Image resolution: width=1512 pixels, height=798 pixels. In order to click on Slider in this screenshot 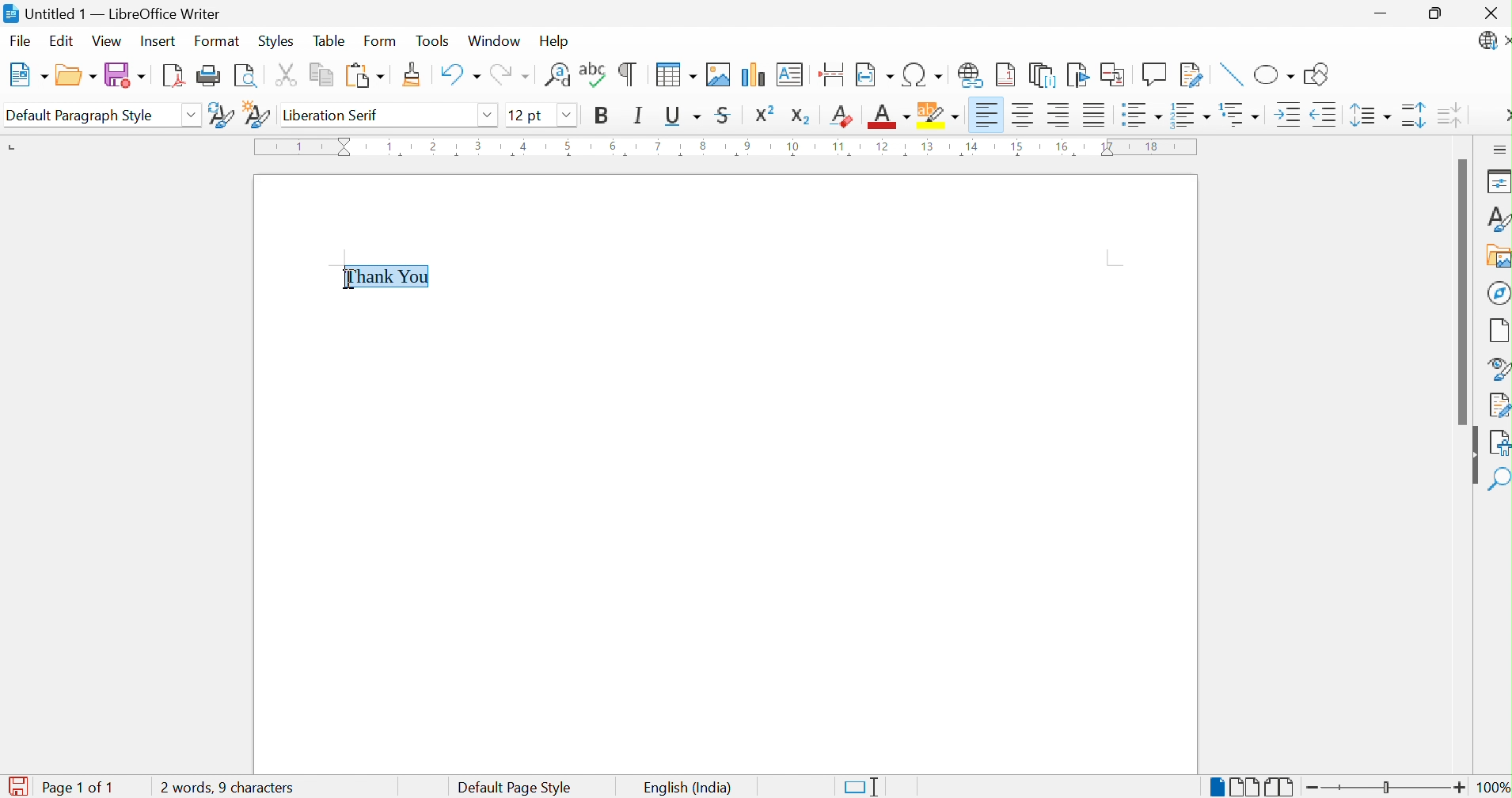, I will do `click(1386, 788)`.